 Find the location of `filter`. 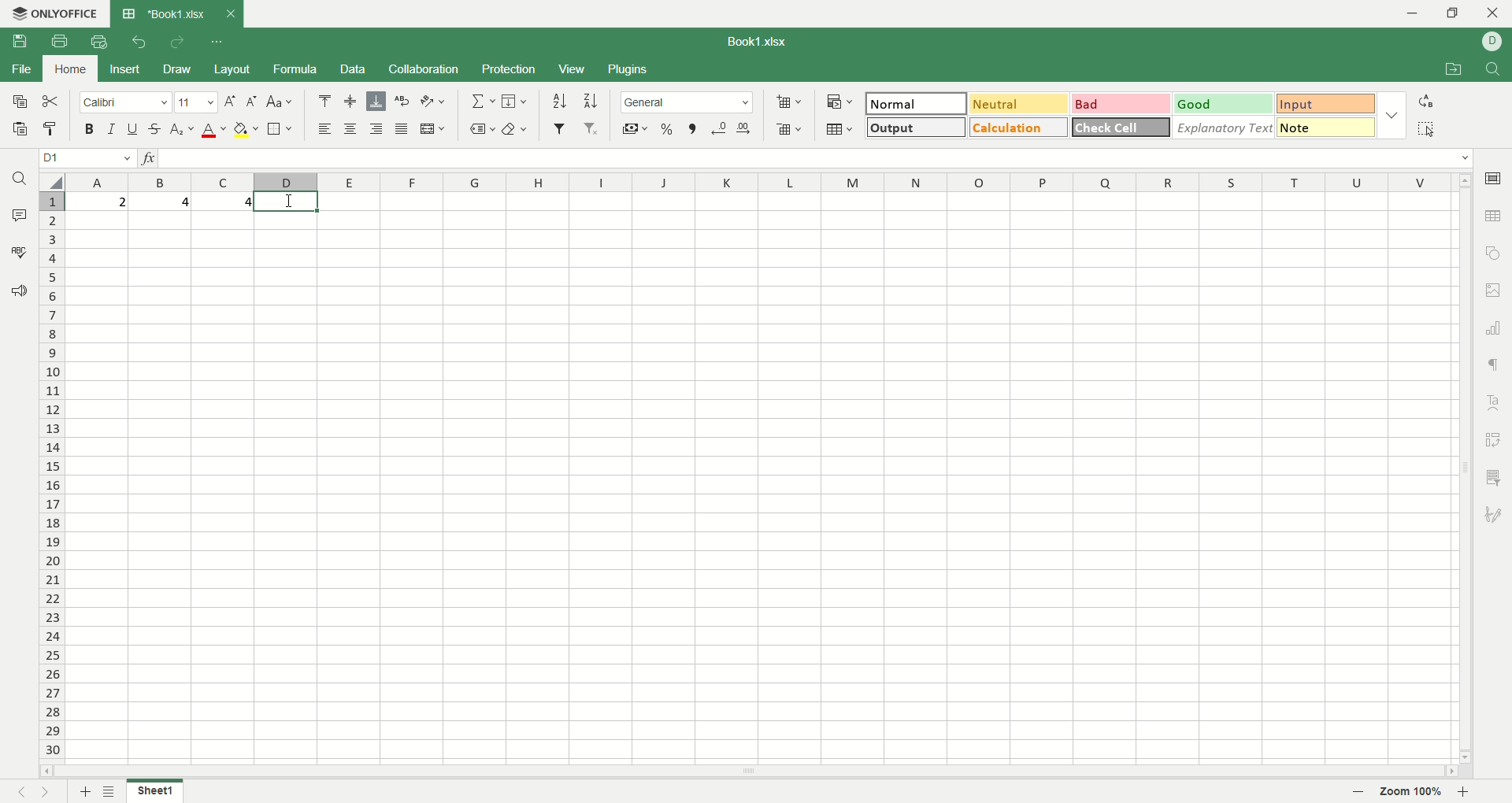

filter is located at coordinates (558, 130).